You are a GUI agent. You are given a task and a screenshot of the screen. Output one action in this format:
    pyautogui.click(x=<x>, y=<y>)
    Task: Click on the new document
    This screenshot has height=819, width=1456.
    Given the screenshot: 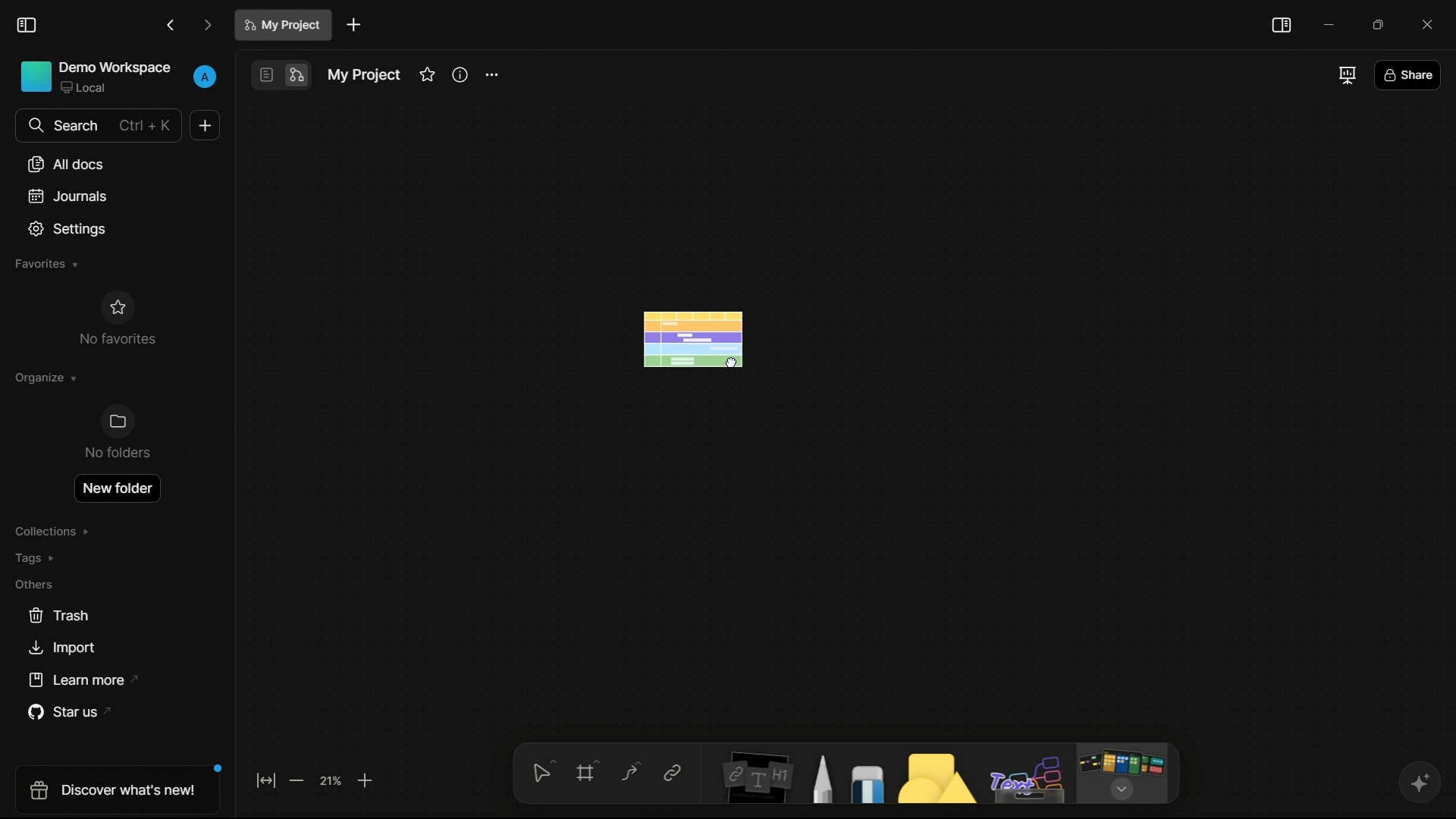 What is the action you would take?
    pyautogui.click(x=206, y=125)
    